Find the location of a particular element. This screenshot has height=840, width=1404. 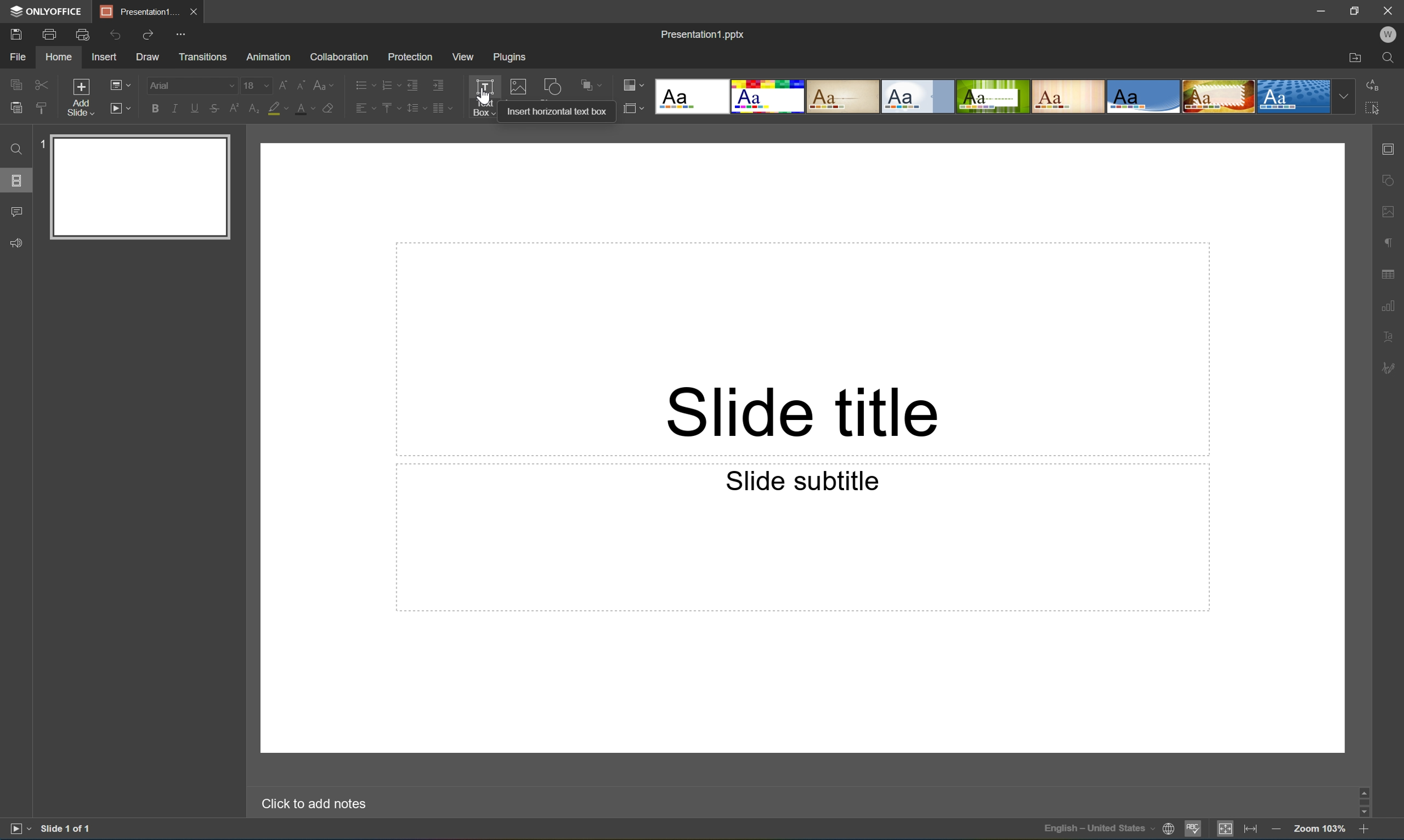

Clear style is located at coordinates (328, 107).